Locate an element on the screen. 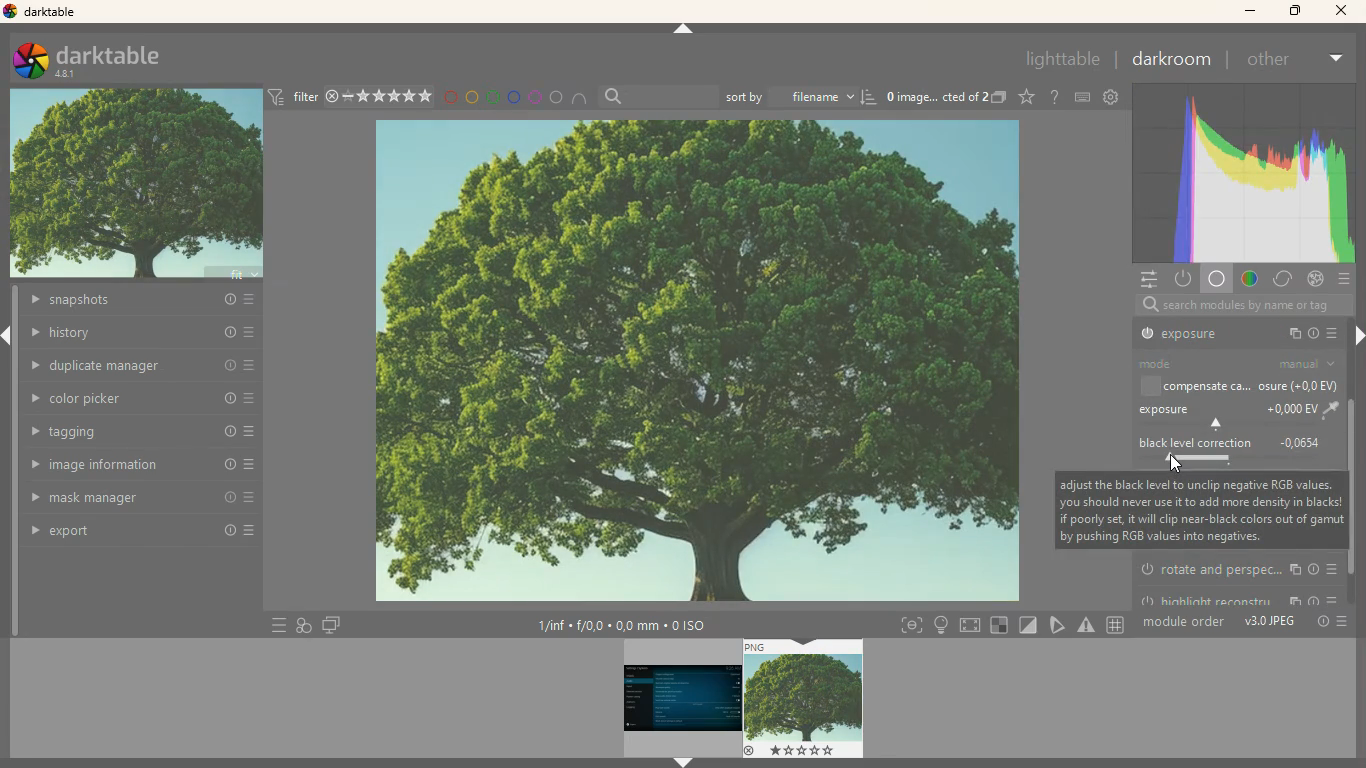 This screenshot has height=768, width=1366. base is located at coordinates (1217, 279).